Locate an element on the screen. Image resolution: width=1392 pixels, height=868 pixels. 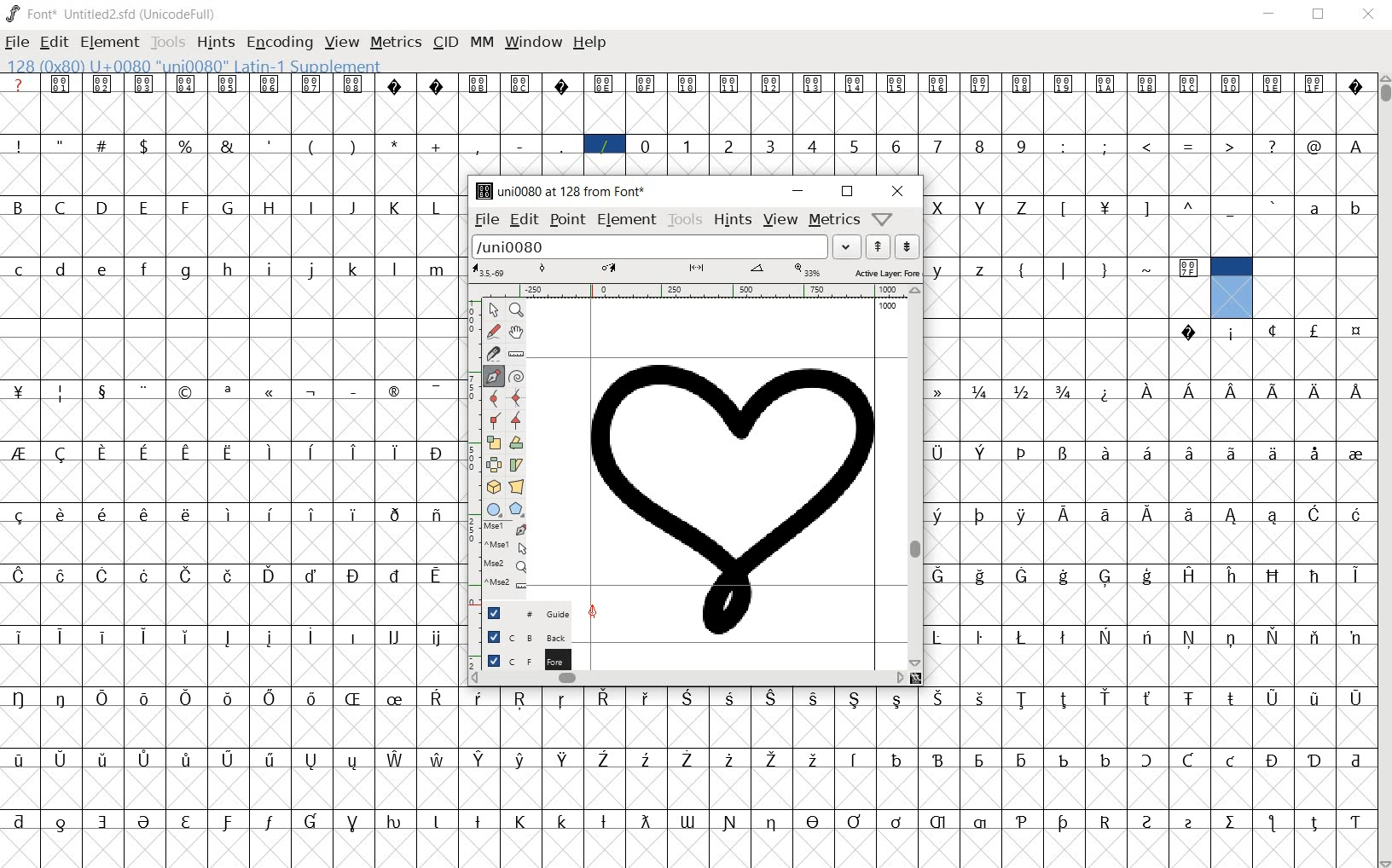
glyph is located at coordinates (1064, 147).